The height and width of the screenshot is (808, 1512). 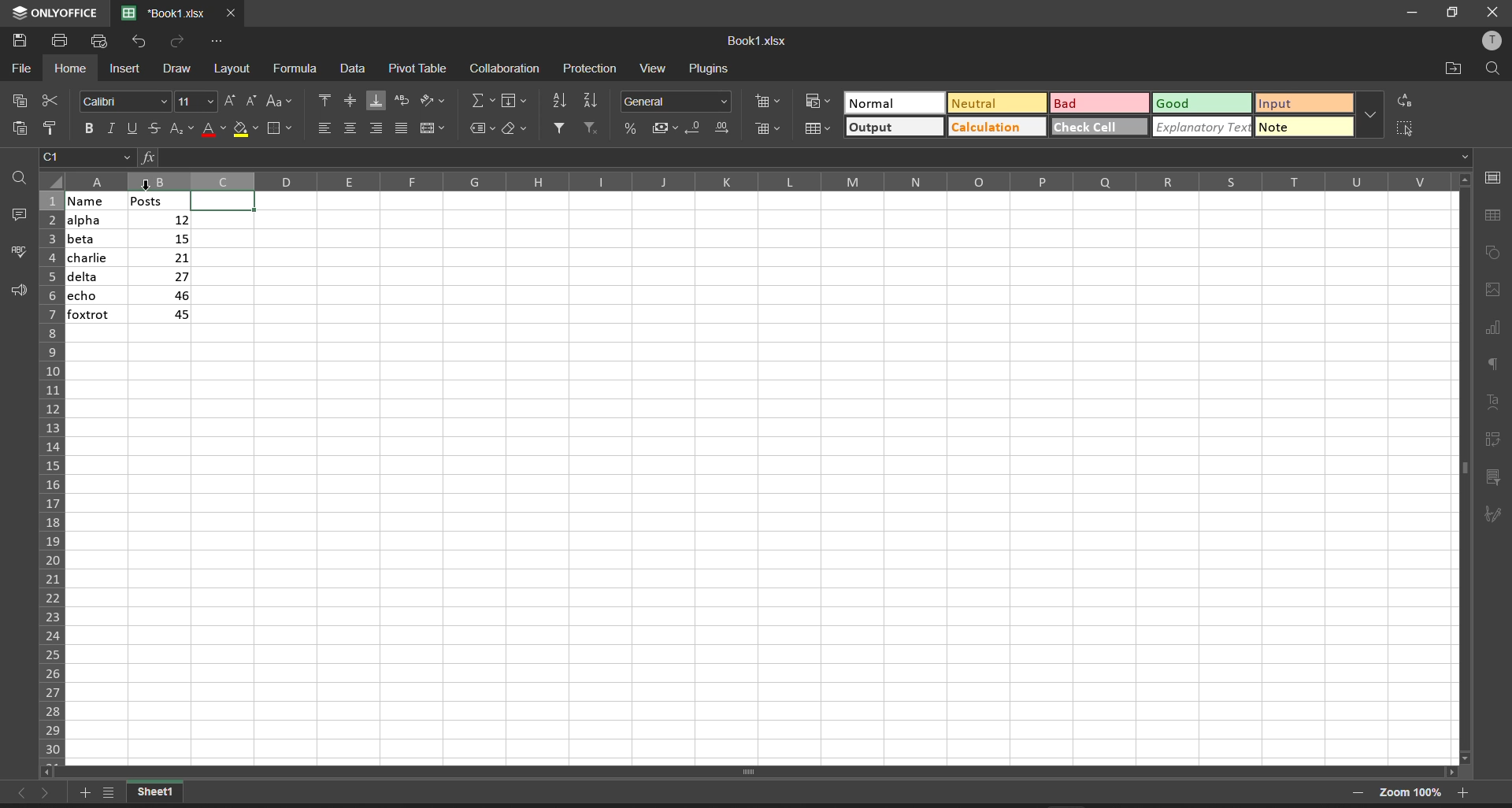 What do you see at coordinates (677, 101) in the screenshot?
I see `number format` at bounding box center [677, 101].